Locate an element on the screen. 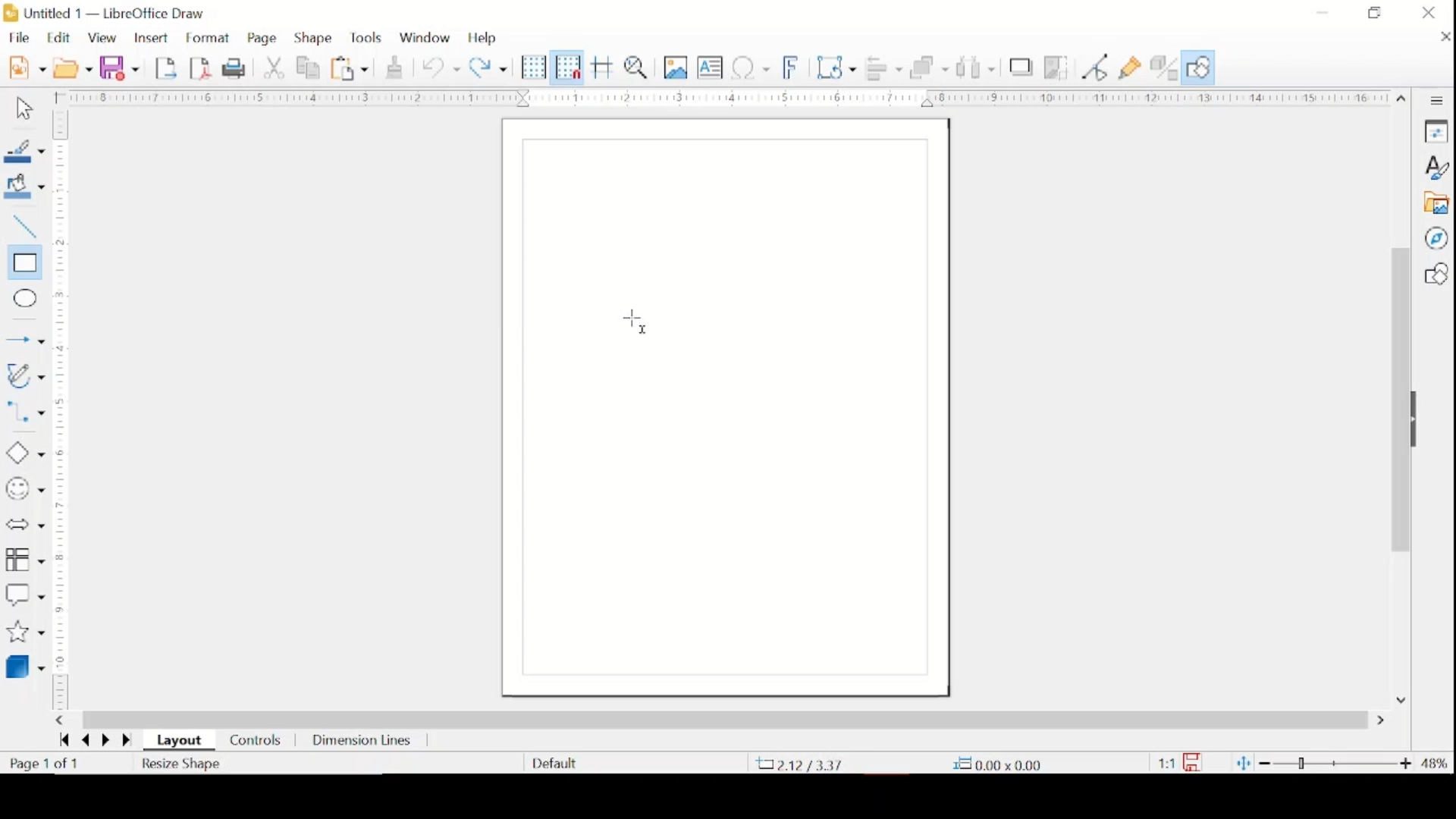 The image size is (1456, 819). toggle extrusions is located at coordinates (1164, 69).